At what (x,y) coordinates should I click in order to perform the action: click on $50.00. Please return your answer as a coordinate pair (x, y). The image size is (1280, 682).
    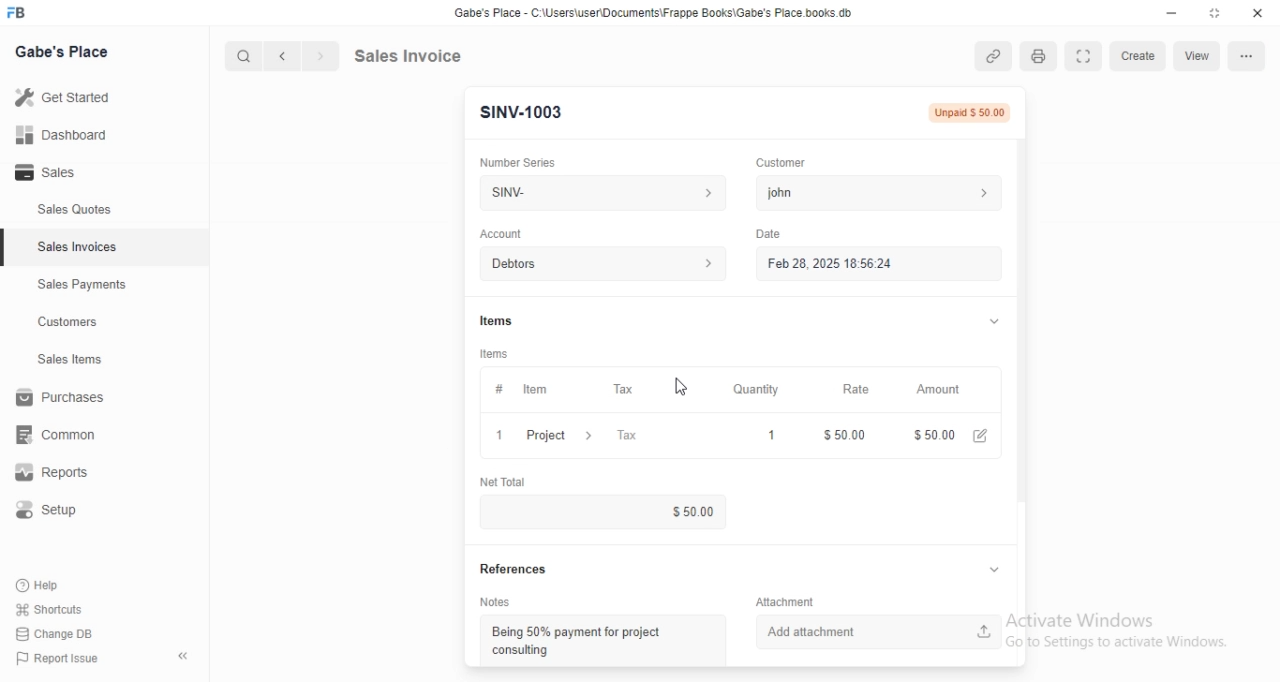
    Looking at the image, I should click on (842, 434).